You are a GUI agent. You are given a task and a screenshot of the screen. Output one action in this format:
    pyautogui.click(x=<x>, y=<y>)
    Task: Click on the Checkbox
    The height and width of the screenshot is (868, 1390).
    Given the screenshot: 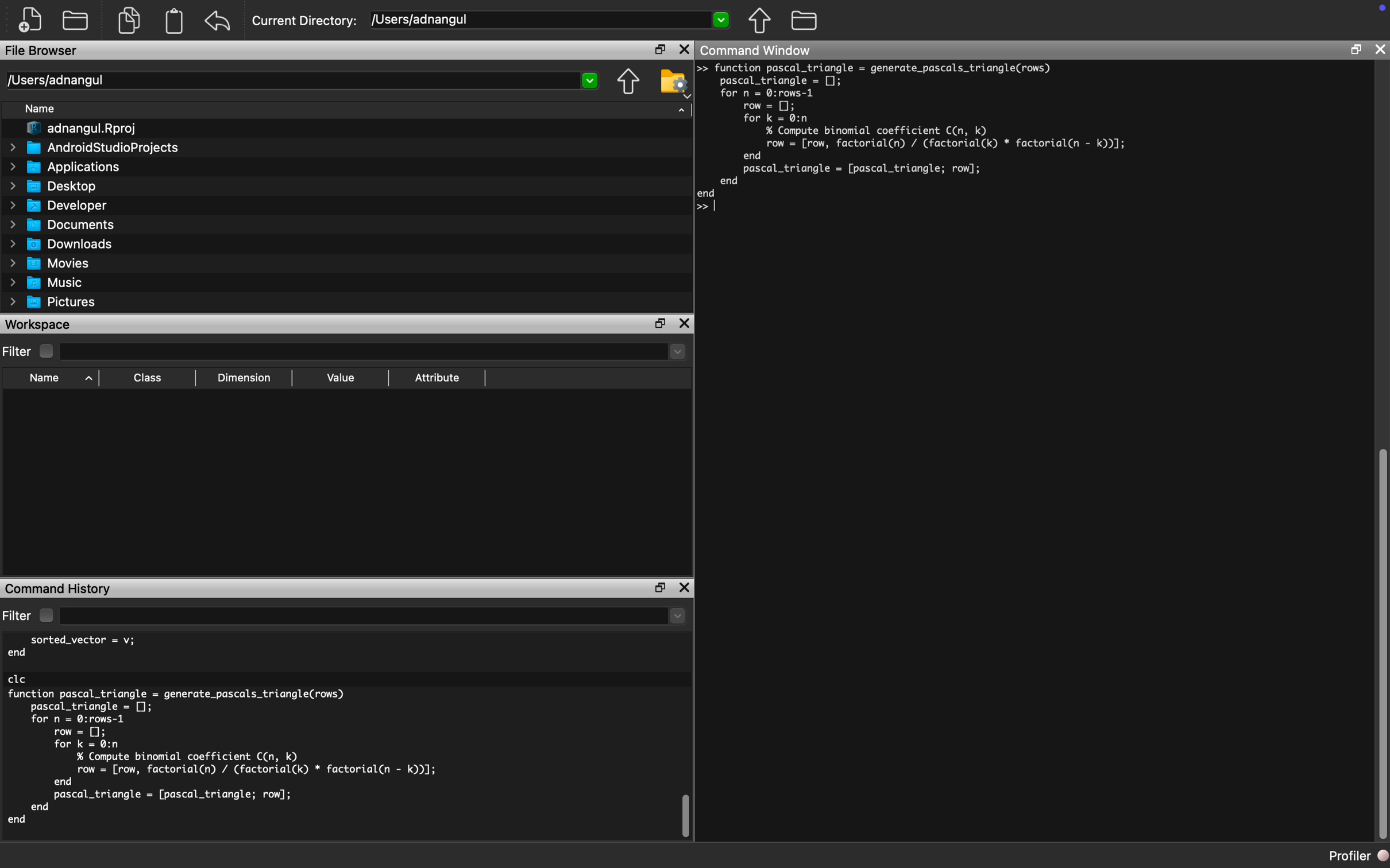 What is the action you would take?
    pyautogui.click(x=48, y=352)
    